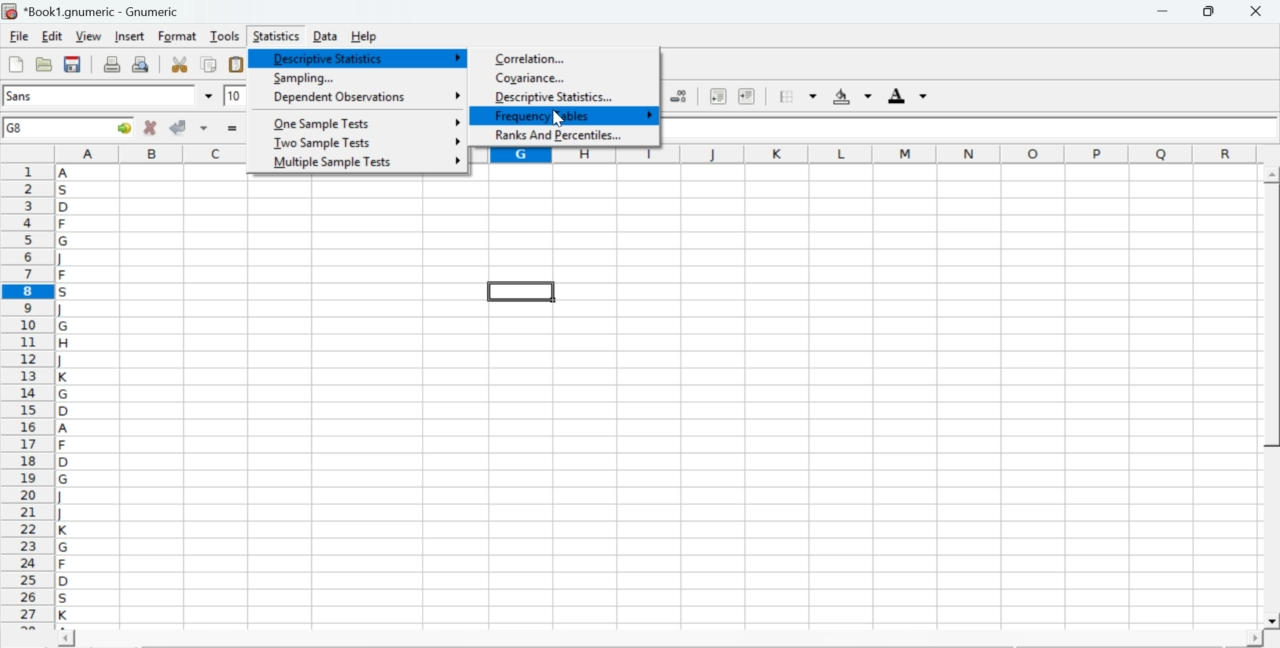 This screenshot has width=1280, height=648. What do you see at coordinates (338, 98) in the screenshot?
I see `dependent observations` at bounding box center [338, 98].